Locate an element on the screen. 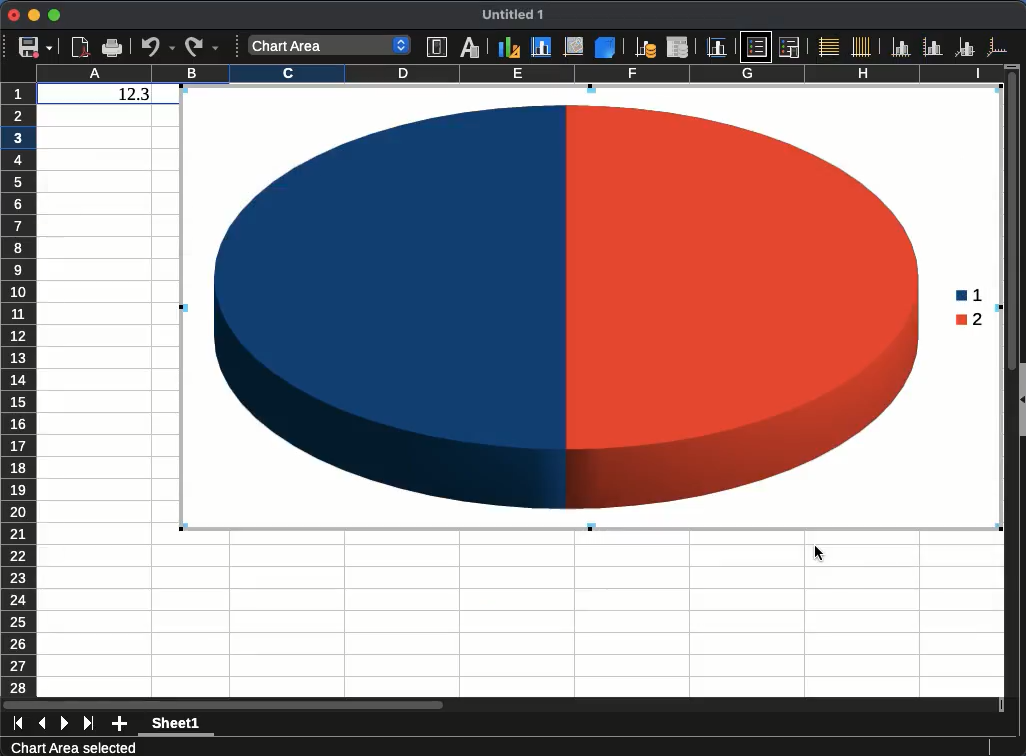 This screenshot has width=1026, height=756. Undo options is located at coordinates (158, 46).